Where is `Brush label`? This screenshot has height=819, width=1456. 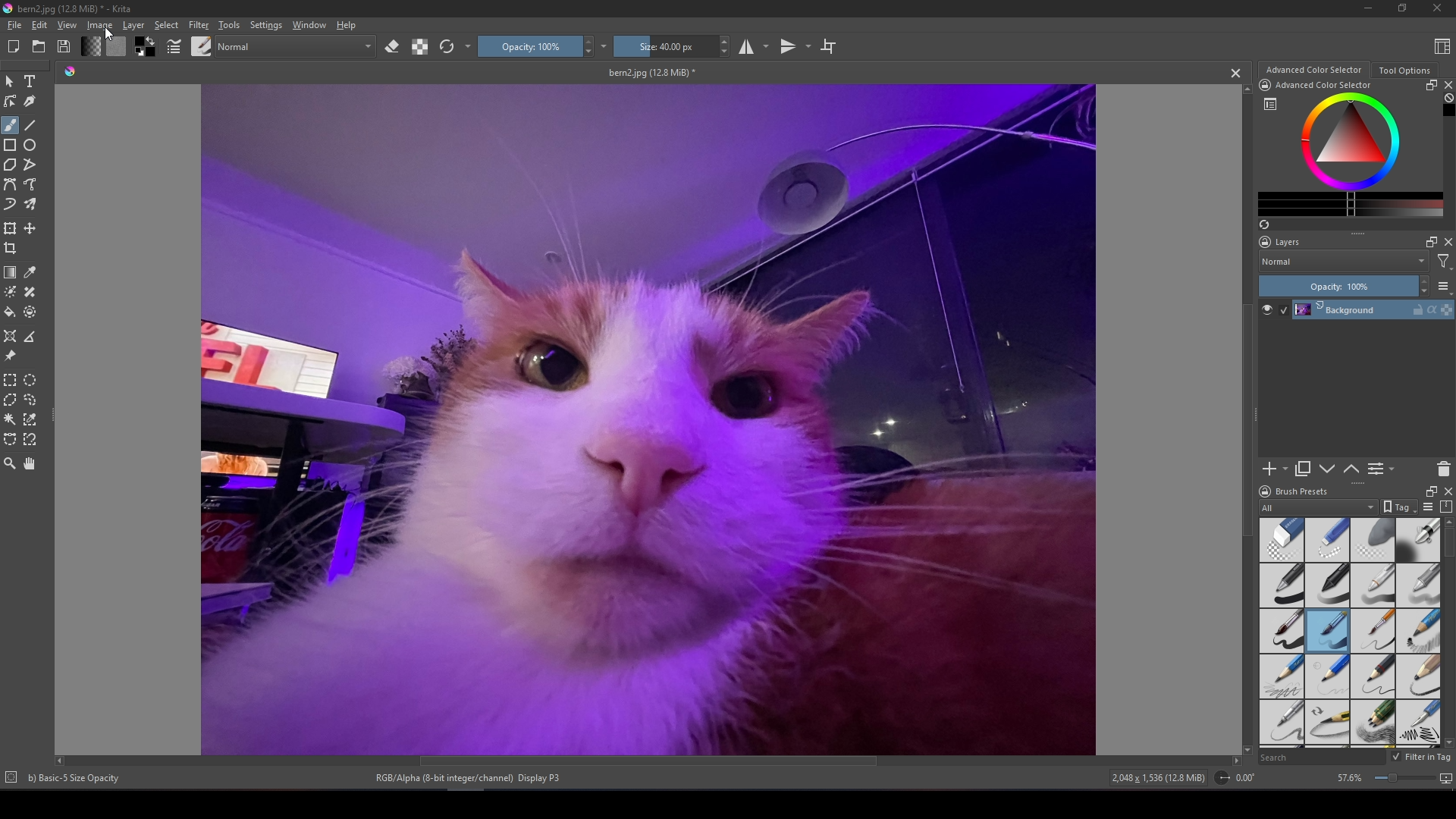 Brush label is located at coordinates (1293, 490).